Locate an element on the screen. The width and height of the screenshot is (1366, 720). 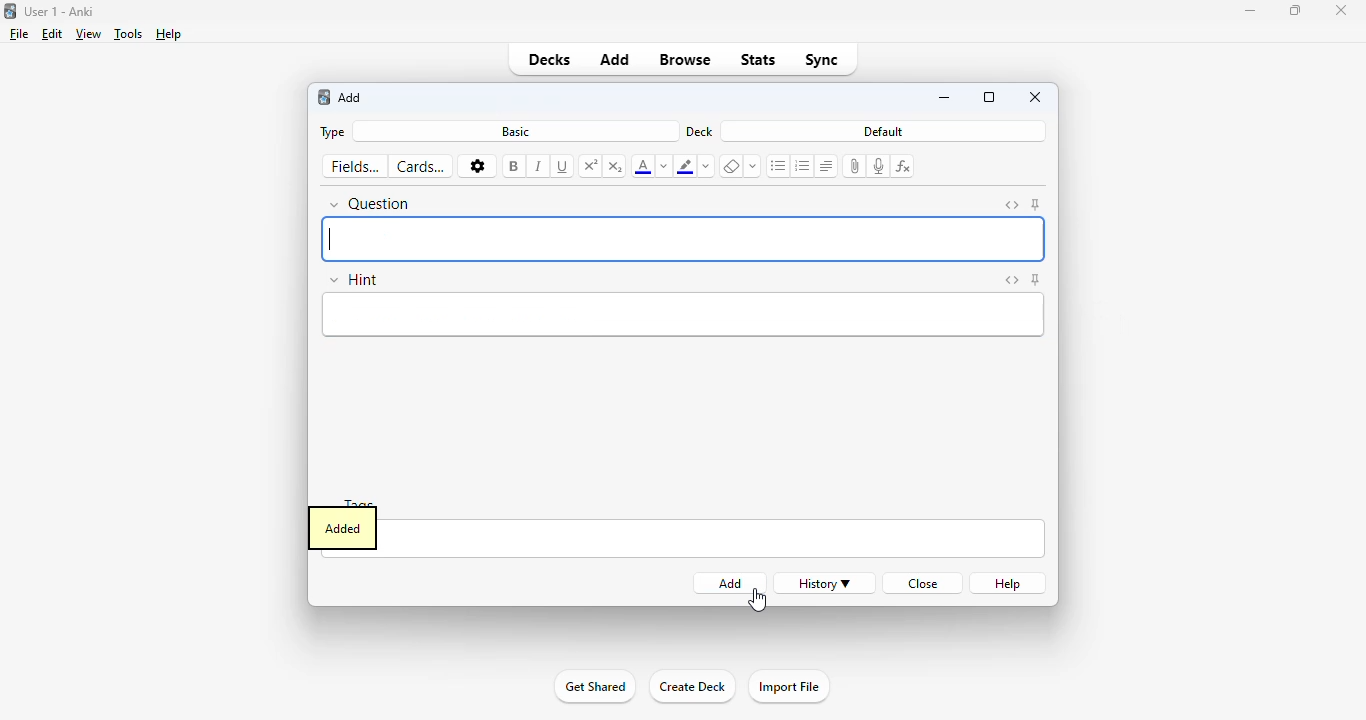
stats is located at coordinates (757, 60).